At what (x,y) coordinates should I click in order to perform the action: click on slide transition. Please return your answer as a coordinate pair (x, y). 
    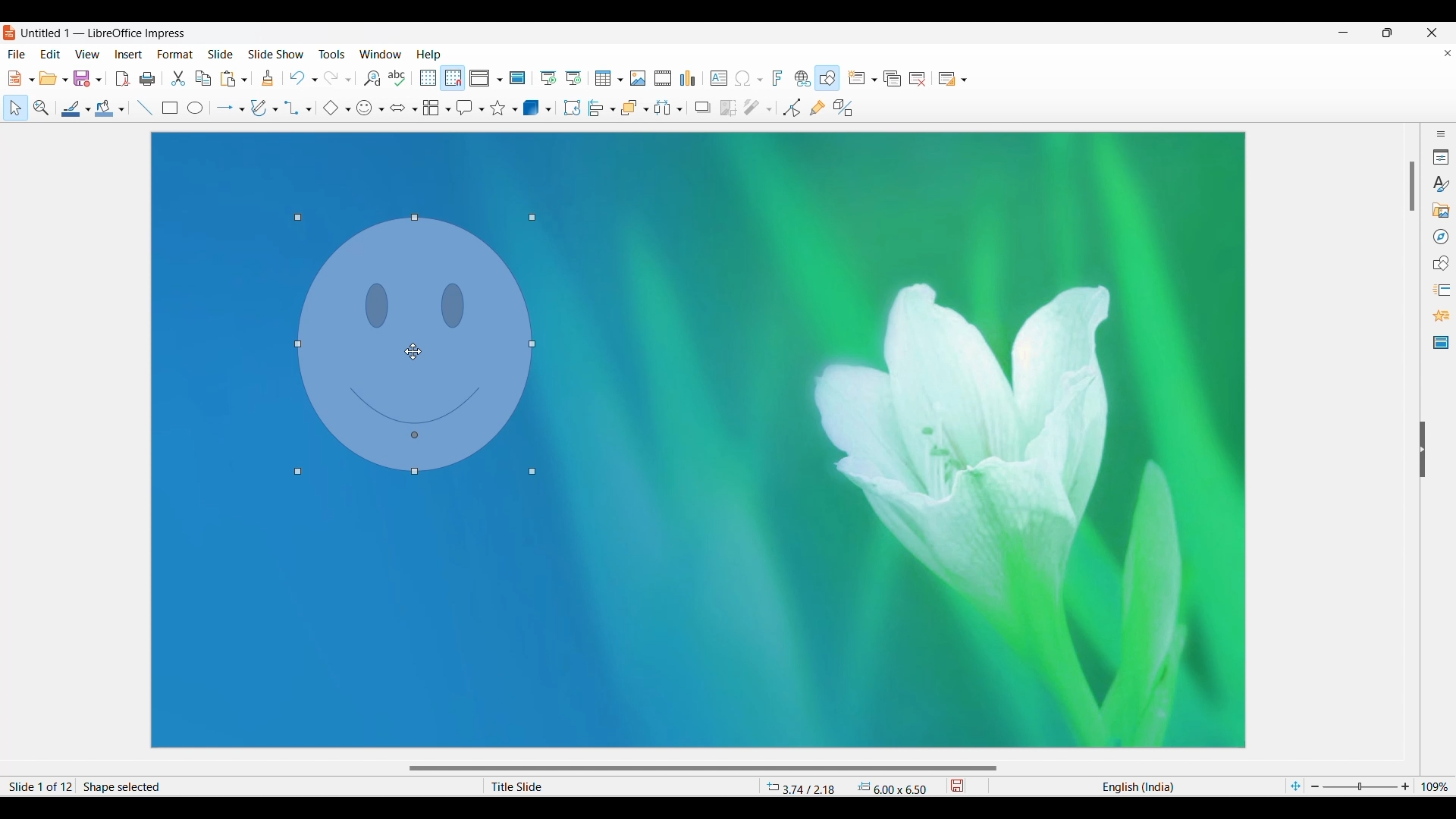
    Looking at the image, I should click on (1444, 290).